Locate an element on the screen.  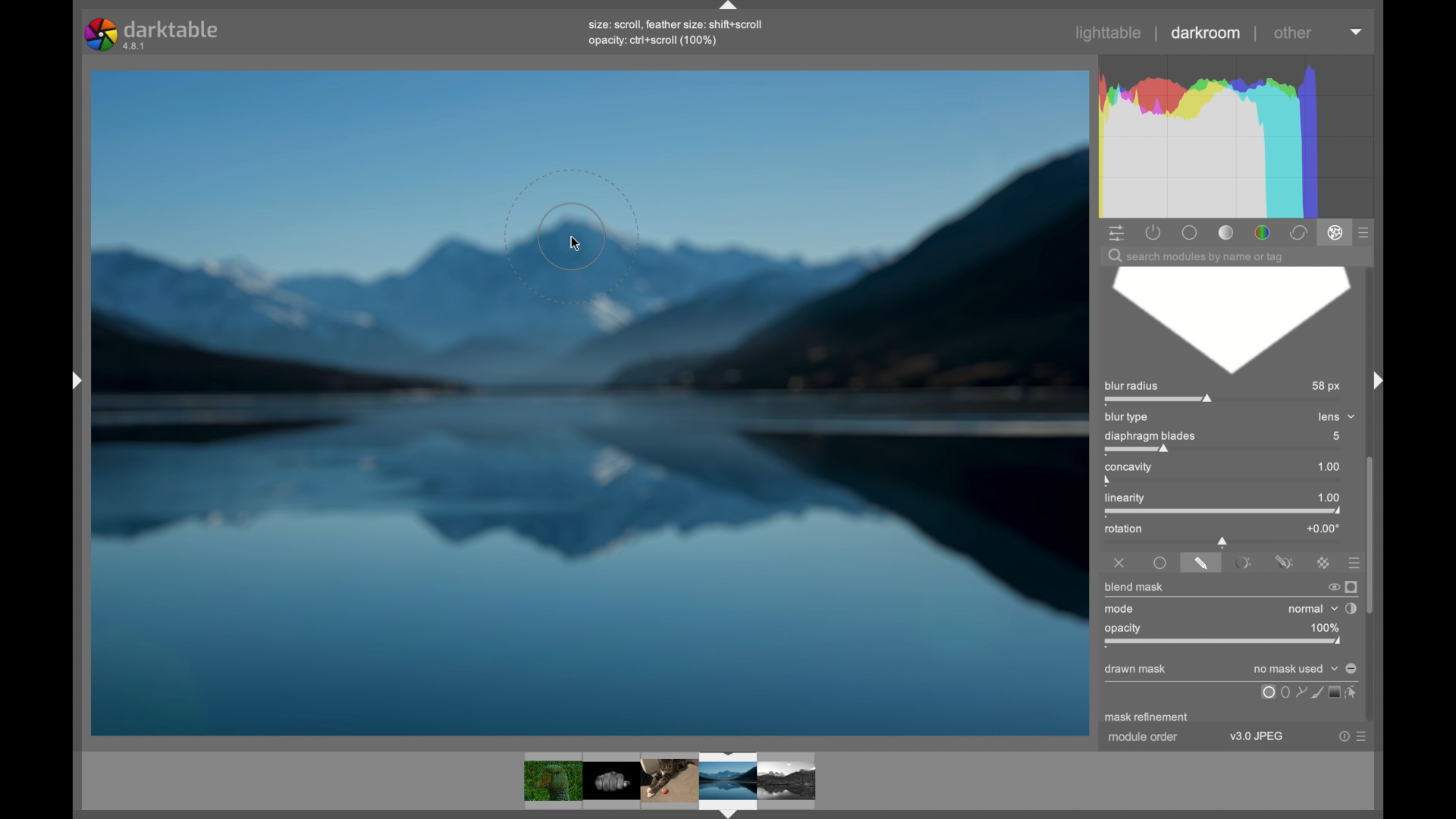
help is located at coordinates (1338, 736).